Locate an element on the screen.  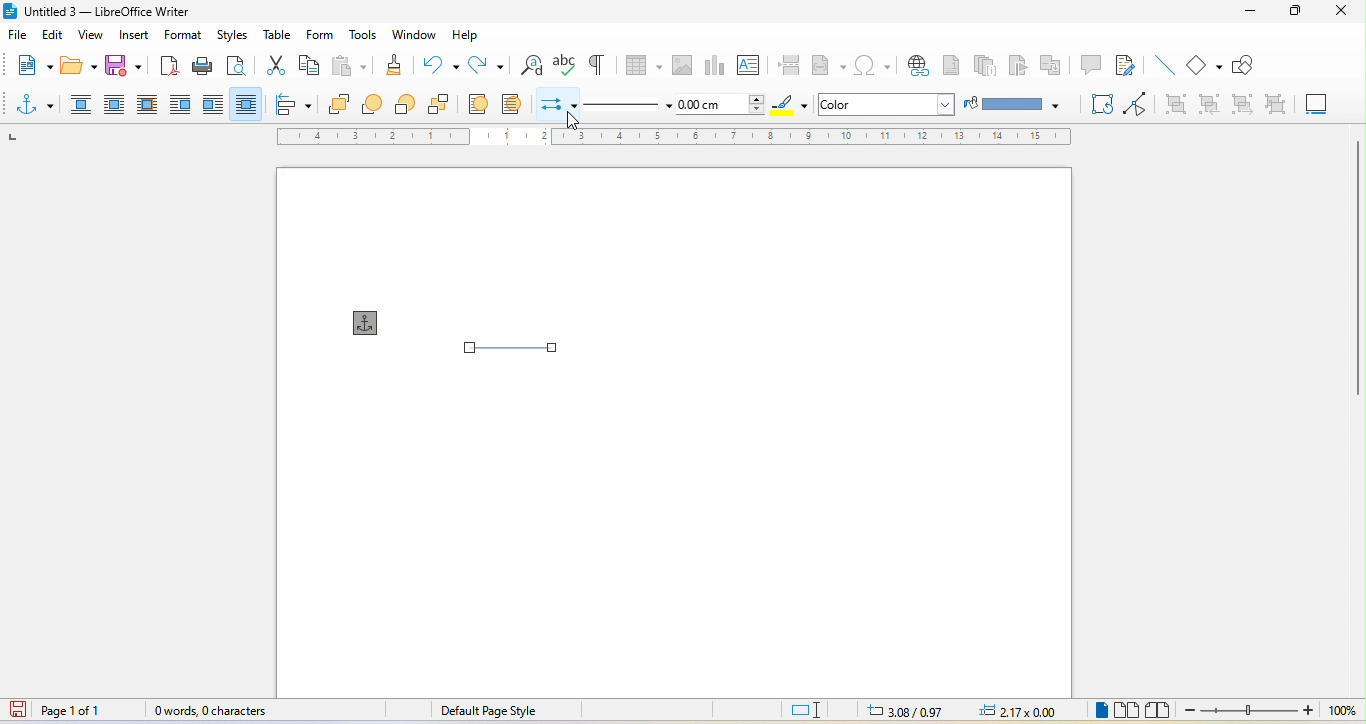
undo is located at coordinates (439, 62).